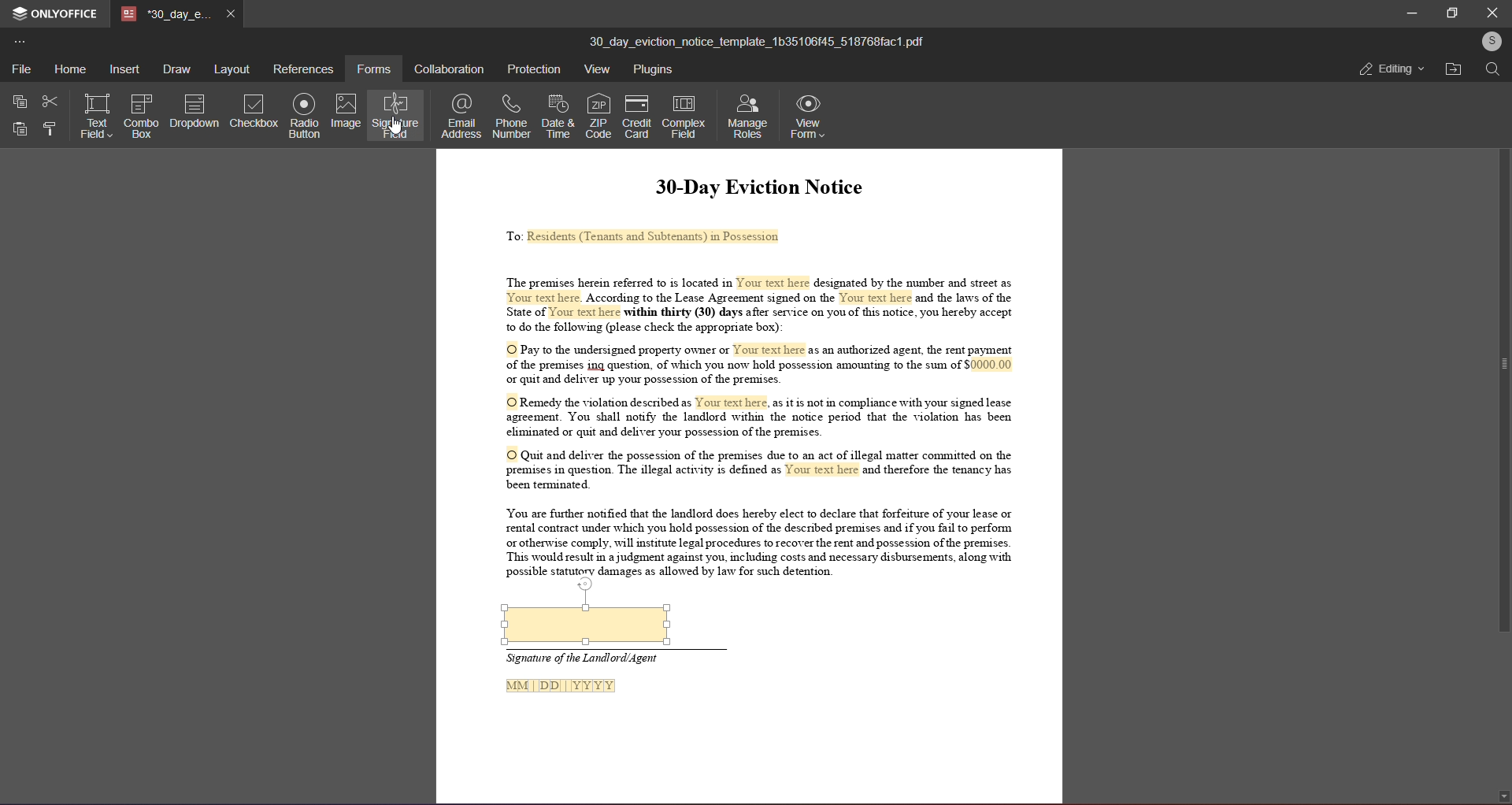  What do you see at coordinates (1491, 41) in the screenshot?
I see `user` at bounding box center [1491, 41].